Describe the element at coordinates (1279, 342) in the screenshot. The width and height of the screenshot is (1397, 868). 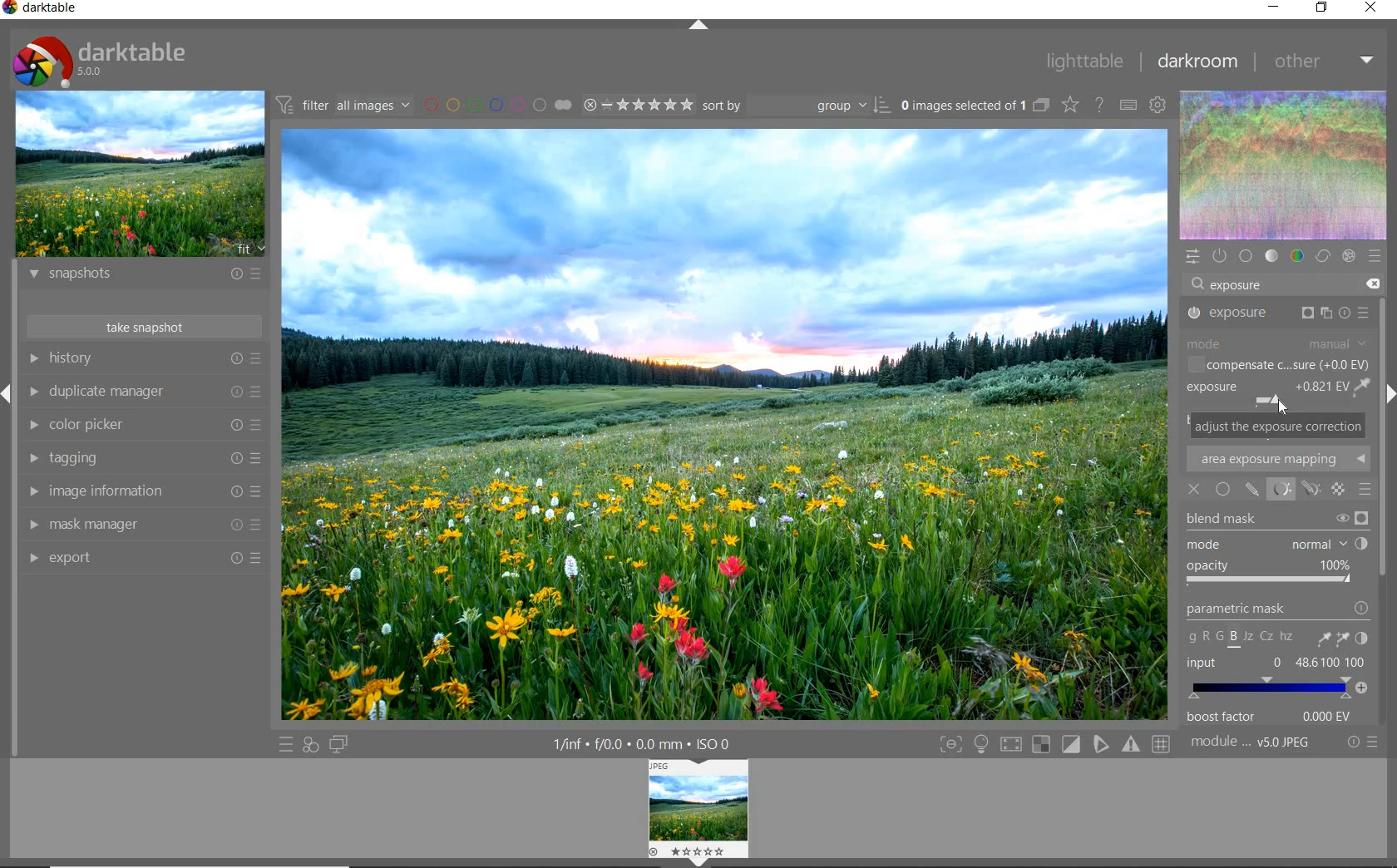
I see `MODE` at that location.